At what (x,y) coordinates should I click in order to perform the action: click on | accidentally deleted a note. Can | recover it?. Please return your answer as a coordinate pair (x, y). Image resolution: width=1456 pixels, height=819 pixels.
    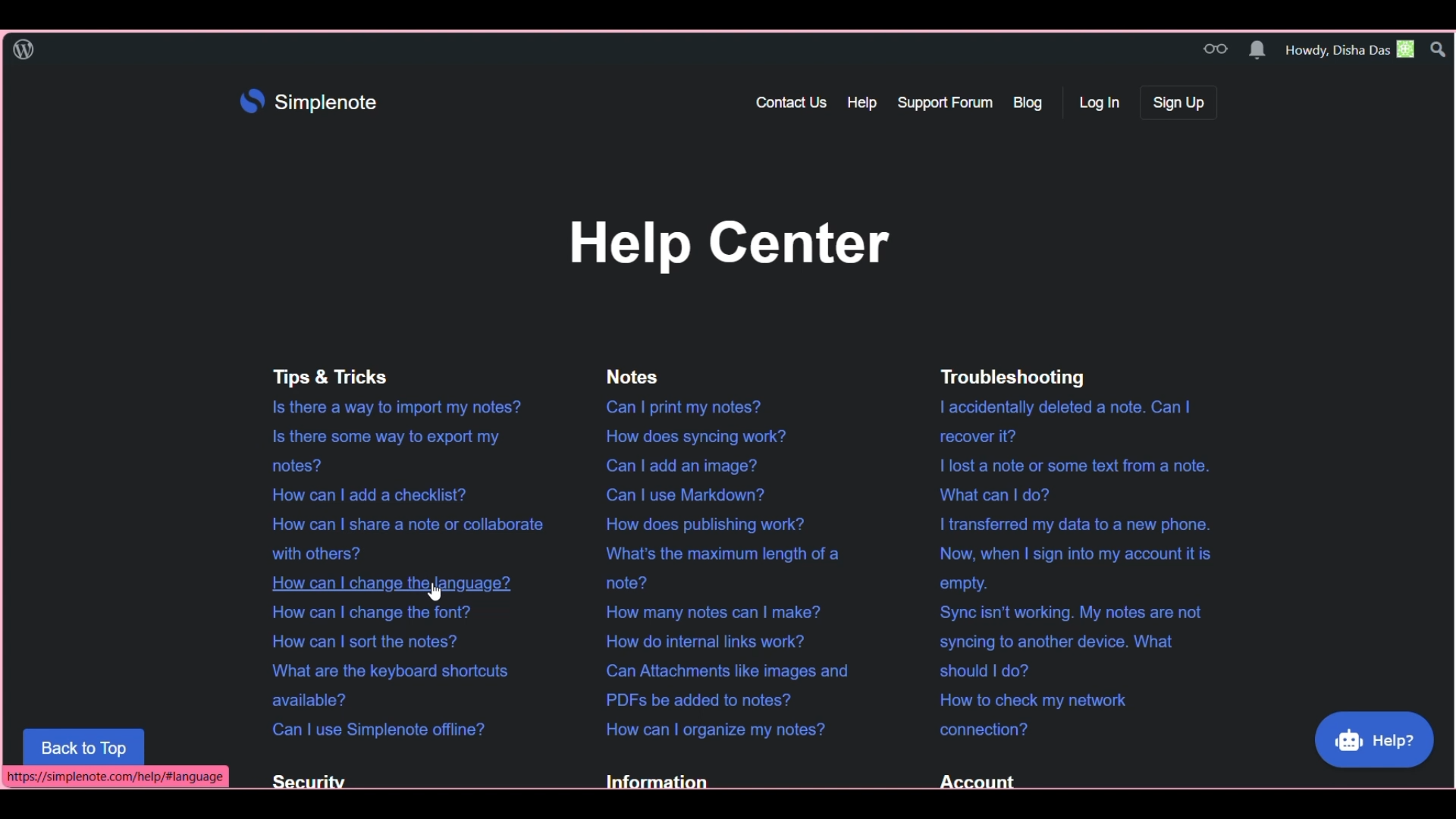
    Looking at the image, I should click on (1061, 419).